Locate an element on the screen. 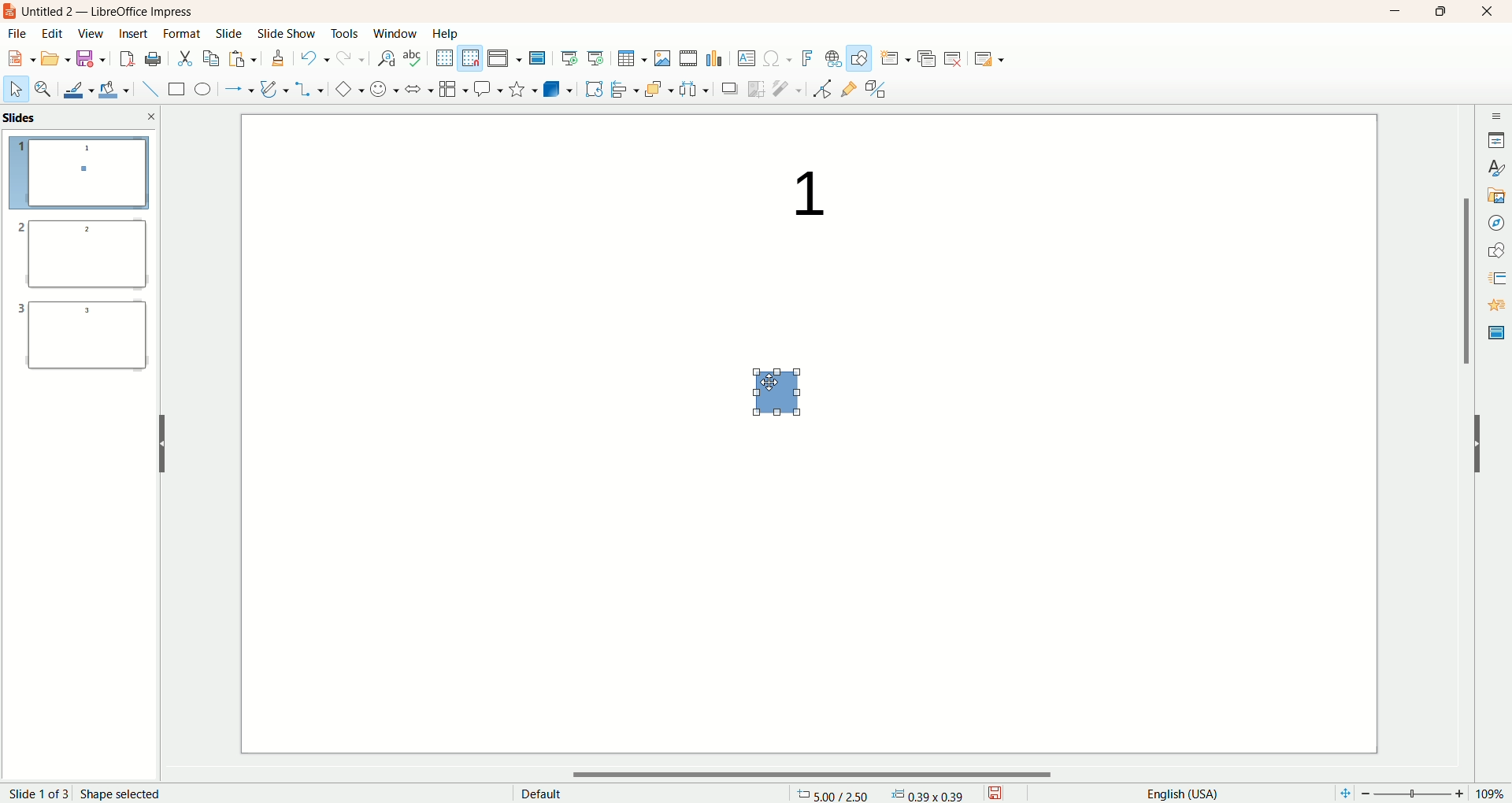  shape is located at coordinates (776, 394).